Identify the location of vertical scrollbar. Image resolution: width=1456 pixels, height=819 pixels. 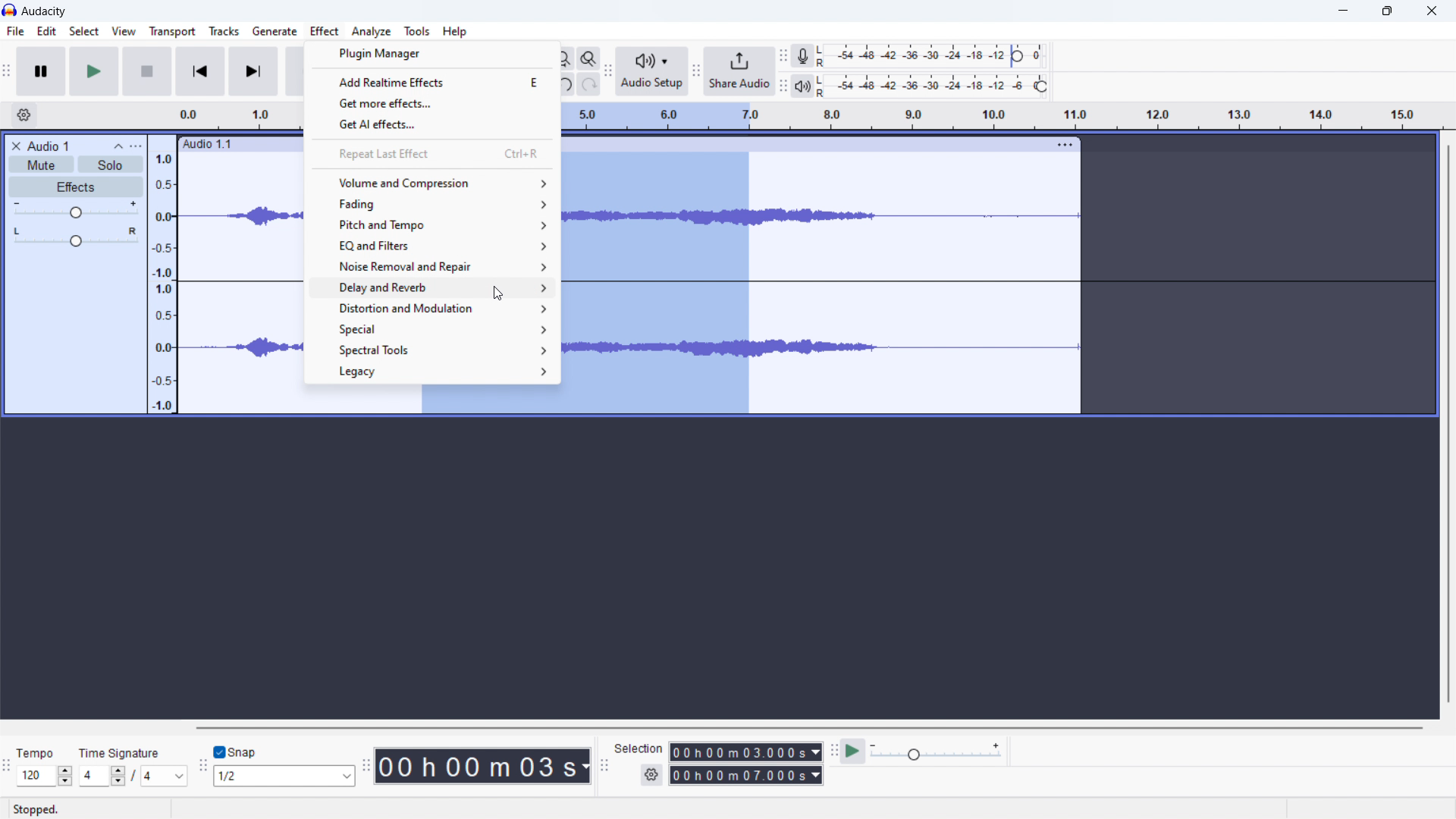
(1447, 425).